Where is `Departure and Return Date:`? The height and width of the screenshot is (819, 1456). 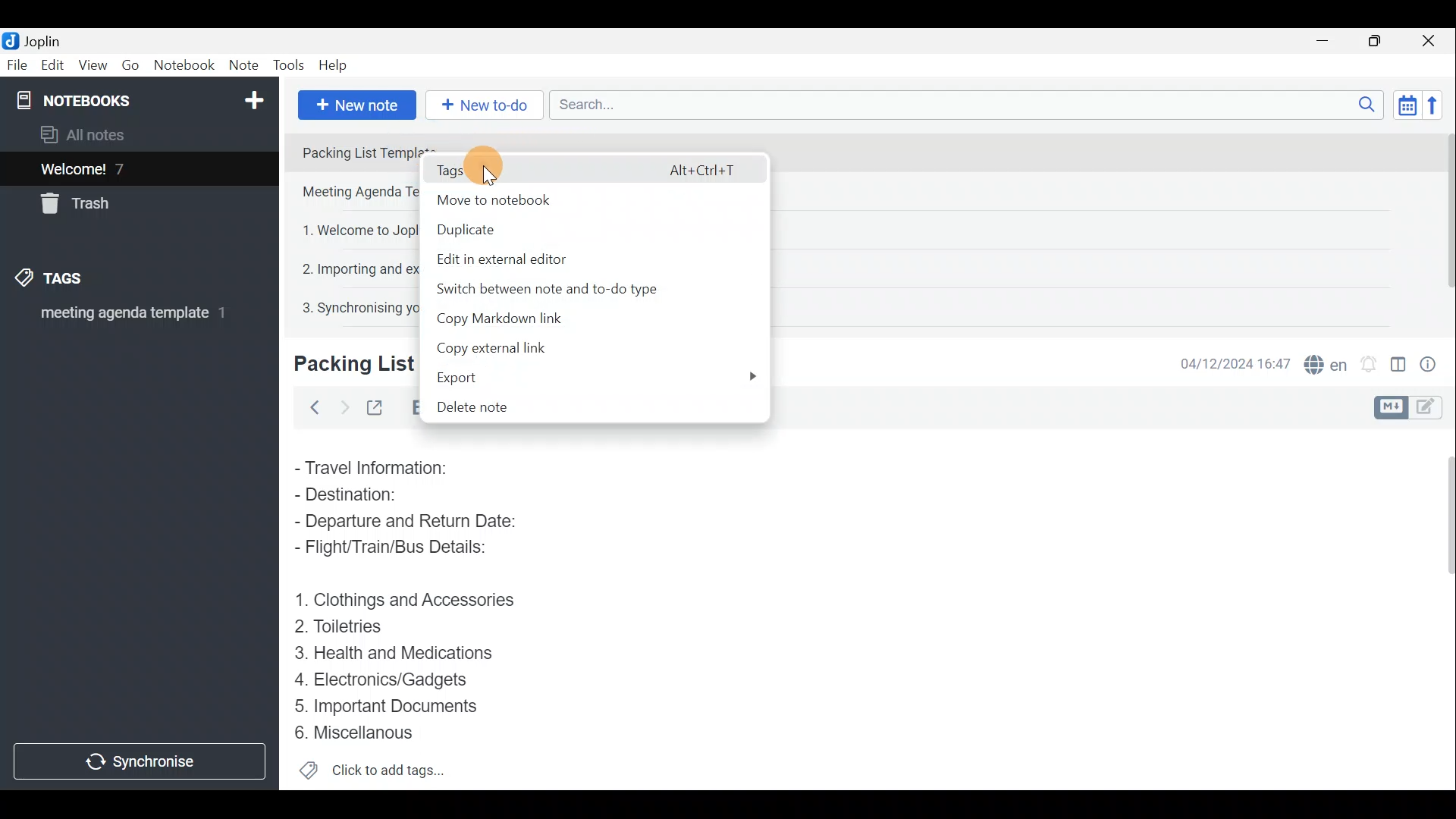
Departure and Return Date: is located at coordinates (407, 523).